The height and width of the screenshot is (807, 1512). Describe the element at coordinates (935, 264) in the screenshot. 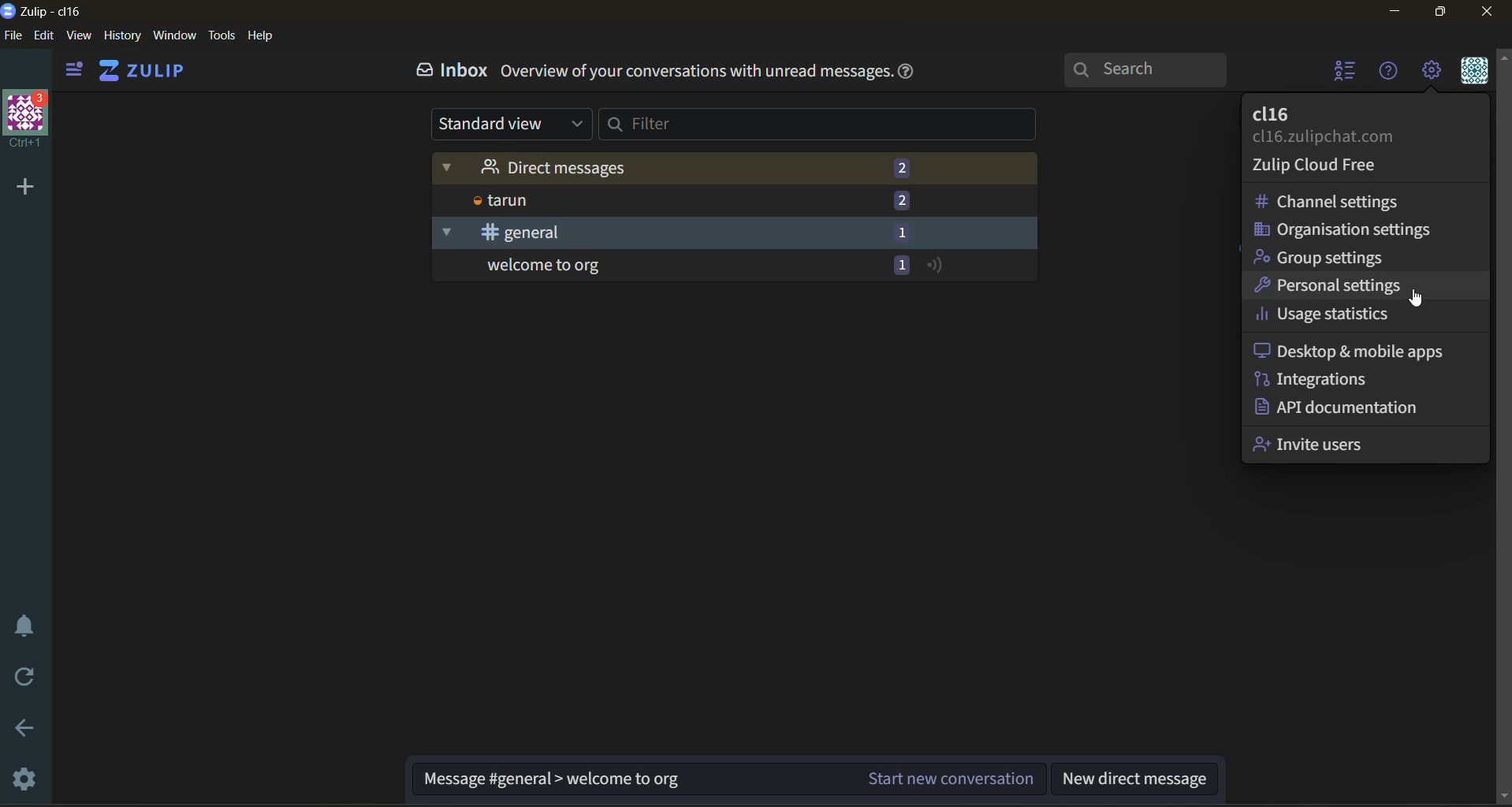

I see `active status` at that location.